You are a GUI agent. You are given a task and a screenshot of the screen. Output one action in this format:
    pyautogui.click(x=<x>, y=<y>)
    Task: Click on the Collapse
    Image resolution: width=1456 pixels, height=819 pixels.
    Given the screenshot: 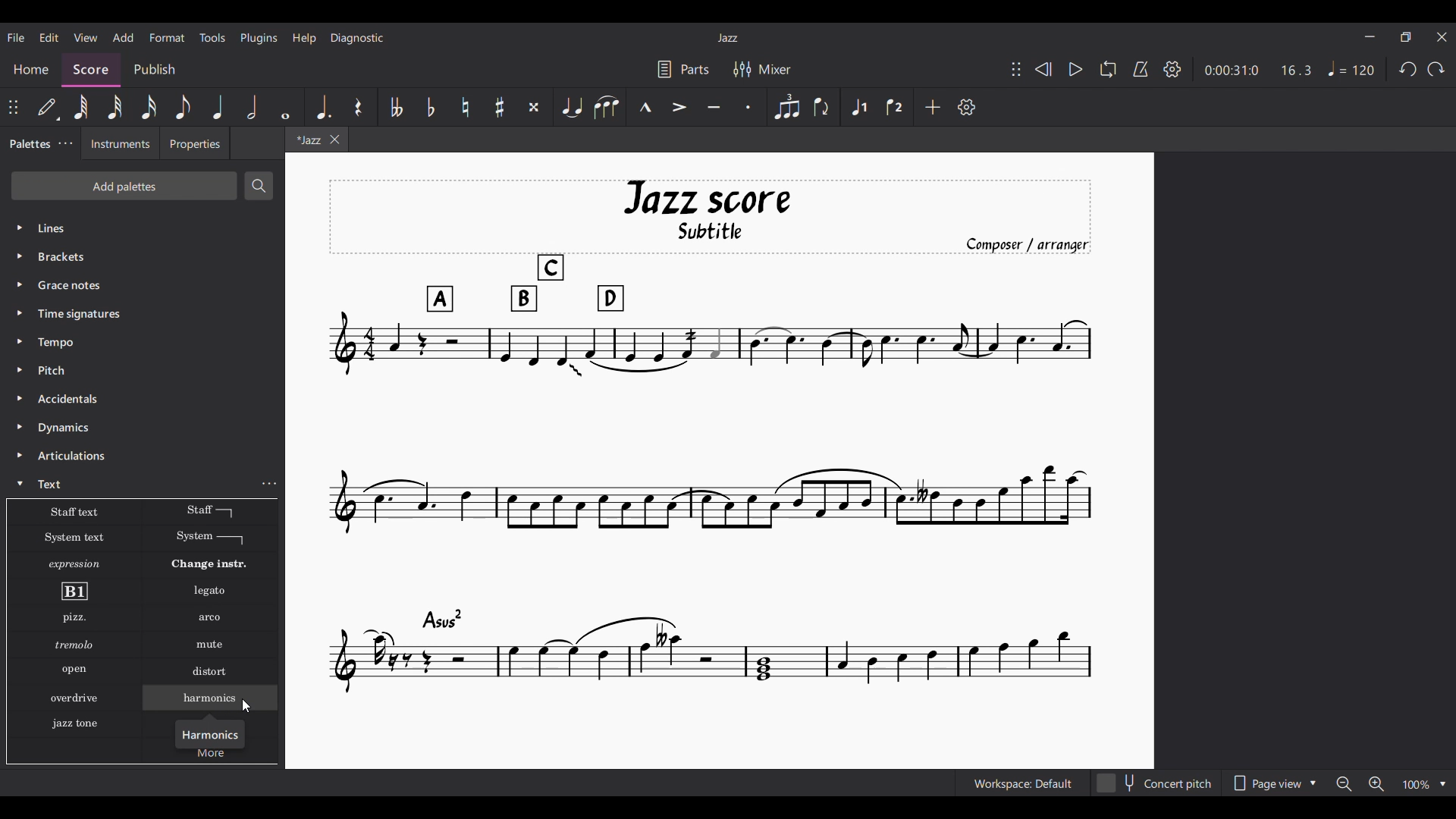 What is the action you would take?
    pyautogui.click(x=20, y=483)
    